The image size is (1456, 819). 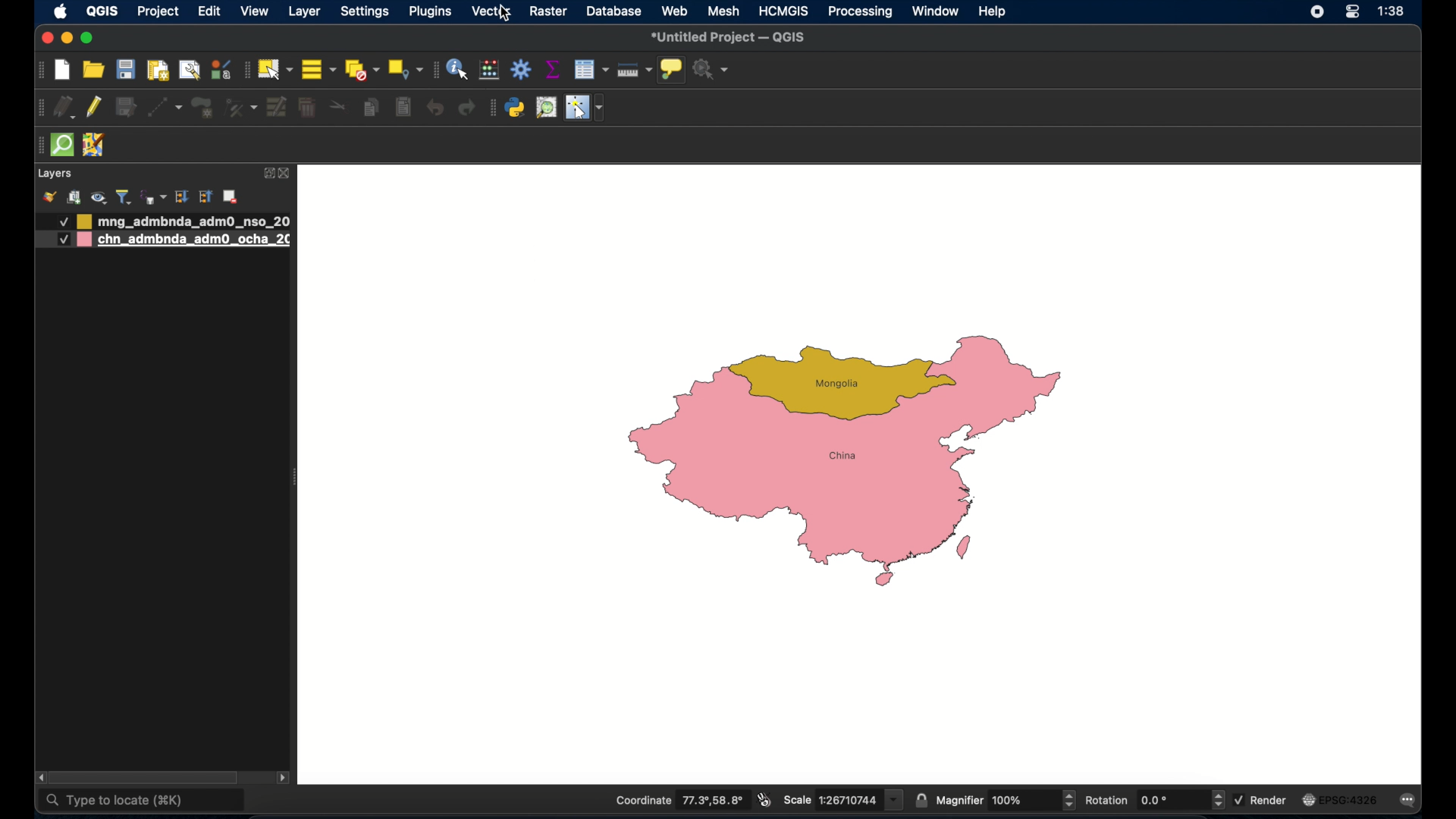 I want to click on add group, so click(x=74, y=198).